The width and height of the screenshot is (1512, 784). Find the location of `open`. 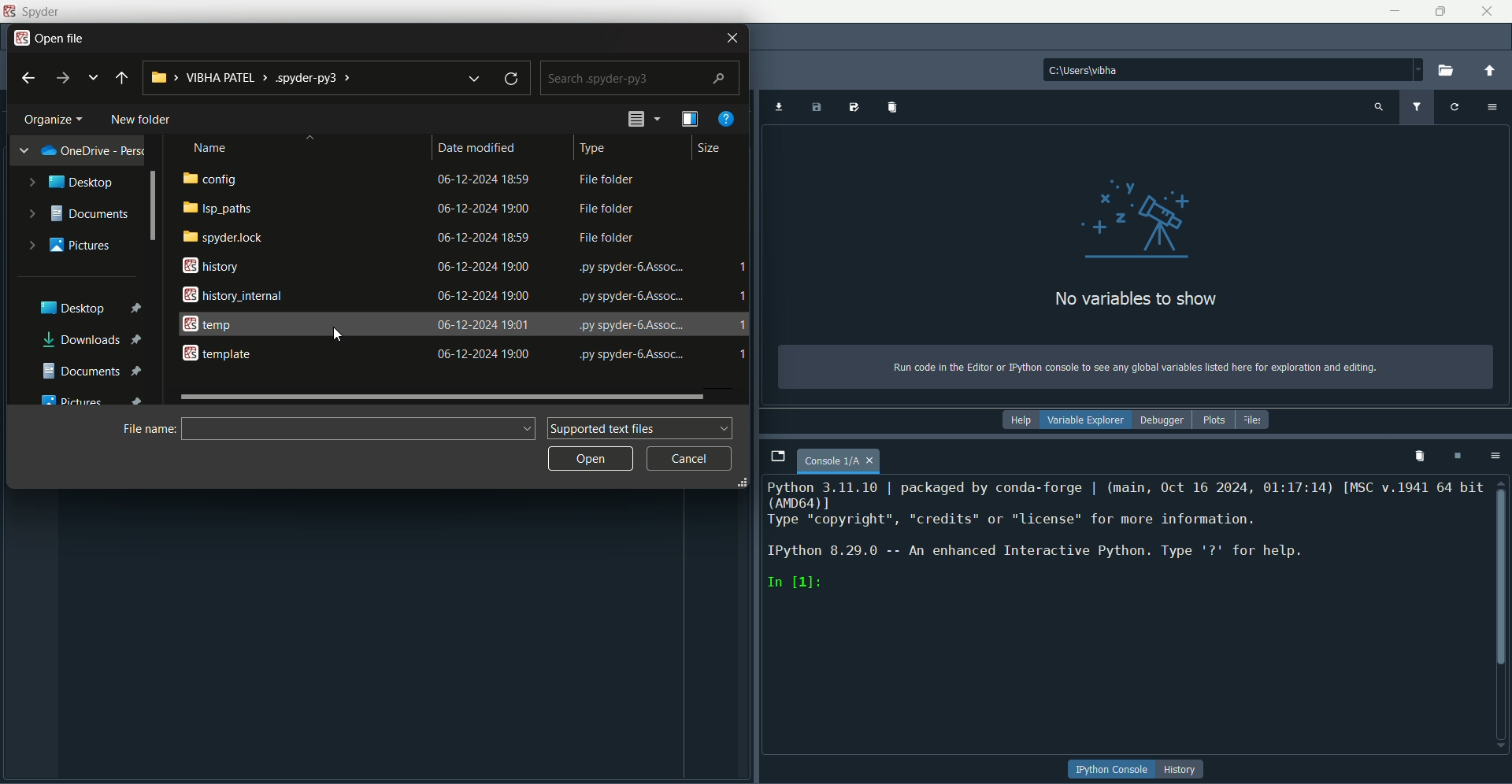

open is located at coordinates (590, 459).